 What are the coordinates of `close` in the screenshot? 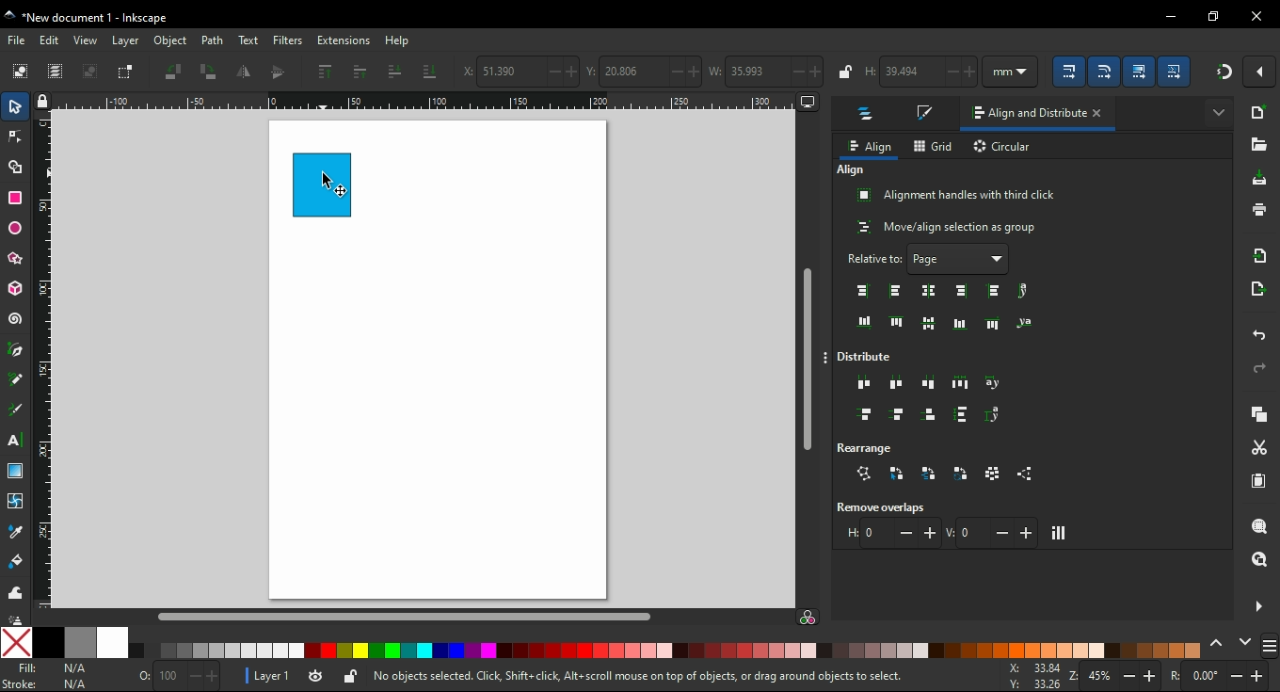 It's located at (1102, 115).